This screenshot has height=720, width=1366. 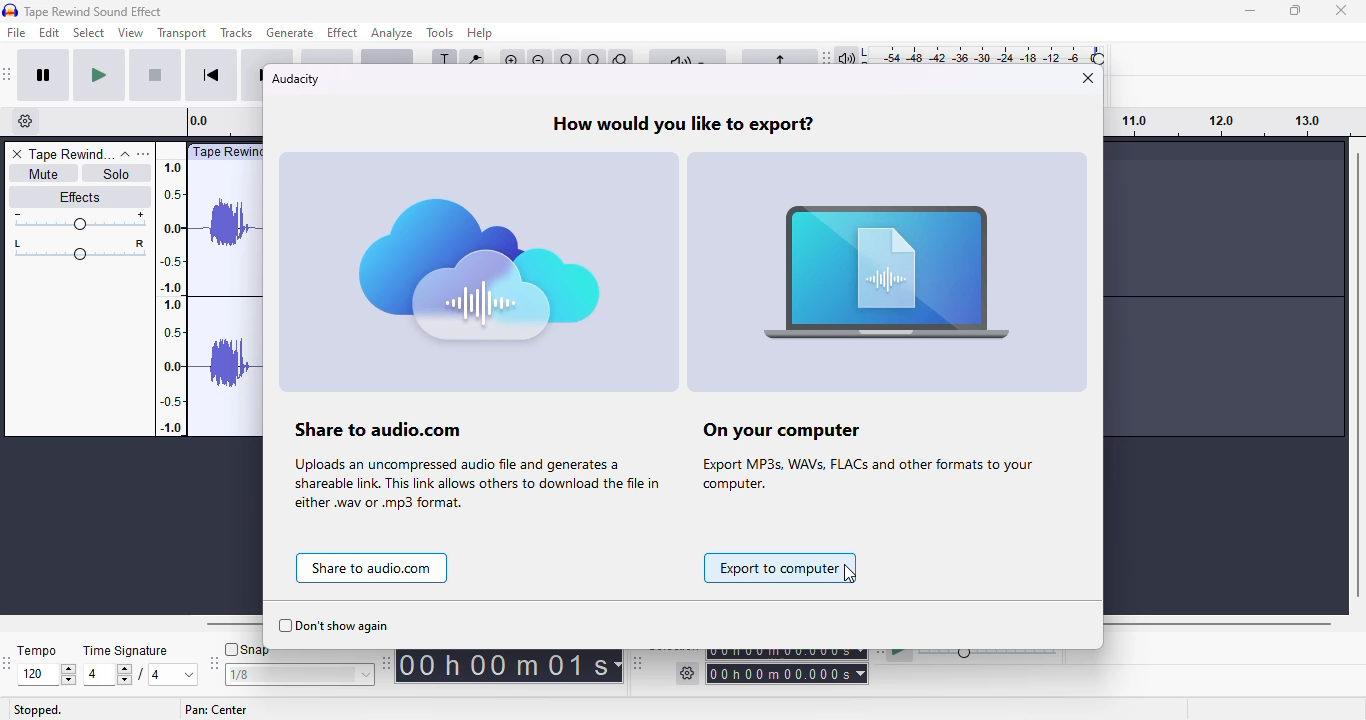 What do you see at coordinates (393, 33) in the screenshot?
I see `analyze` at bounding box center [393, 33].